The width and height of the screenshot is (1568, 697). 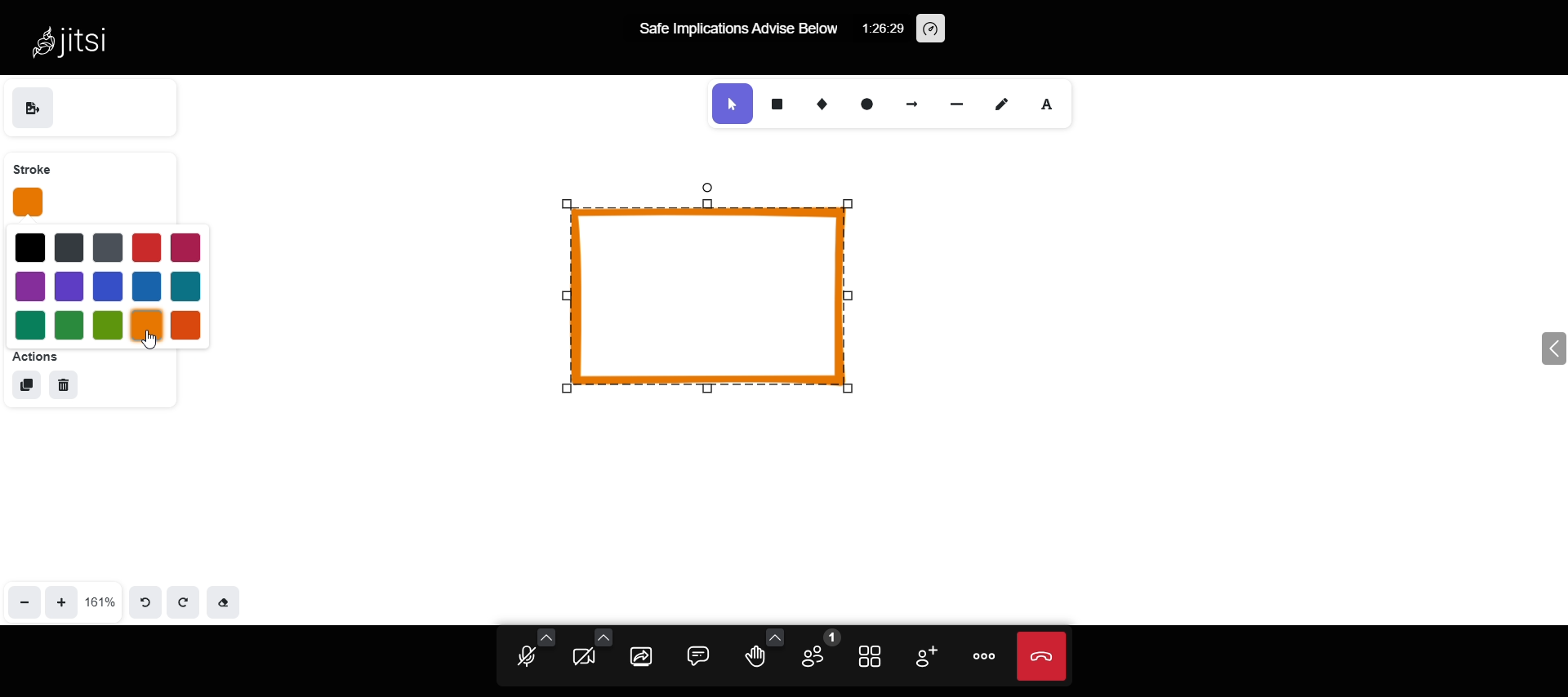 I want to click on delete, so click(x=64, y=382).